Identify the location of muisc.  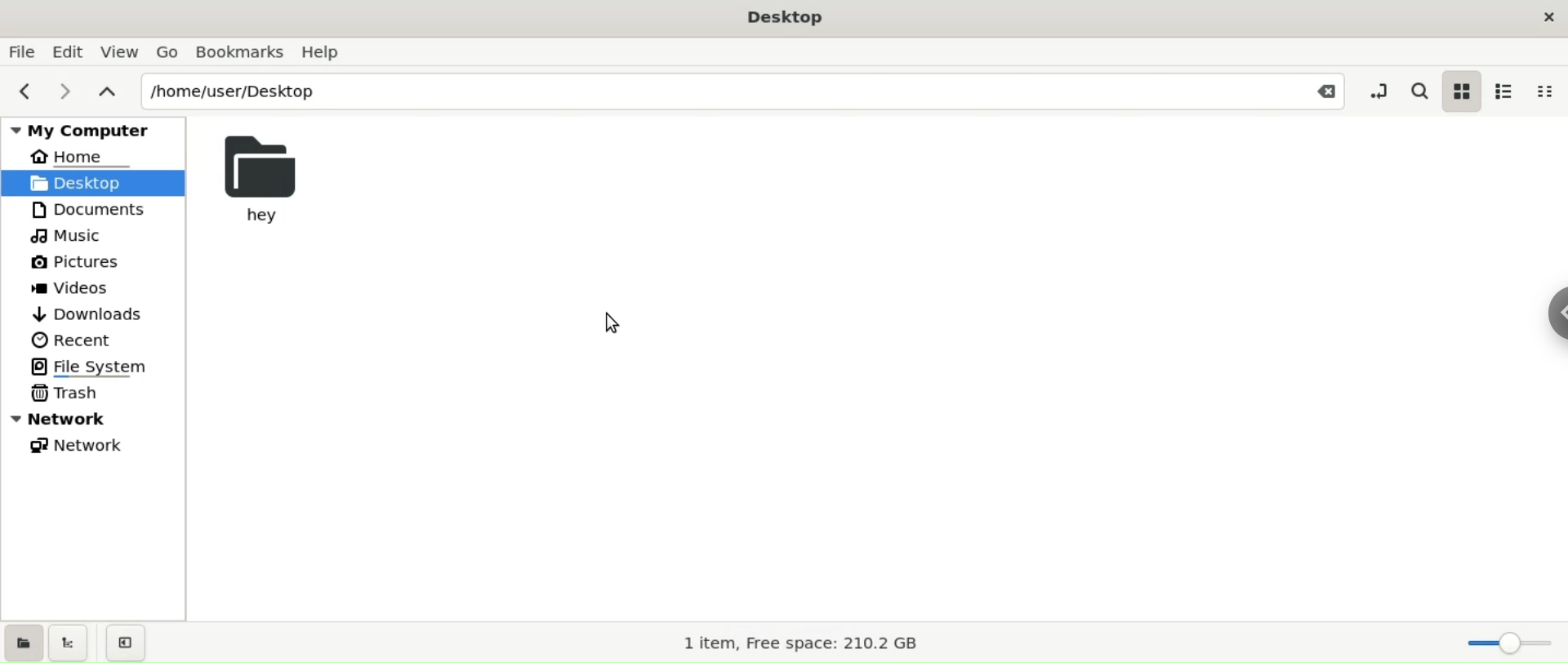
(73, 238).